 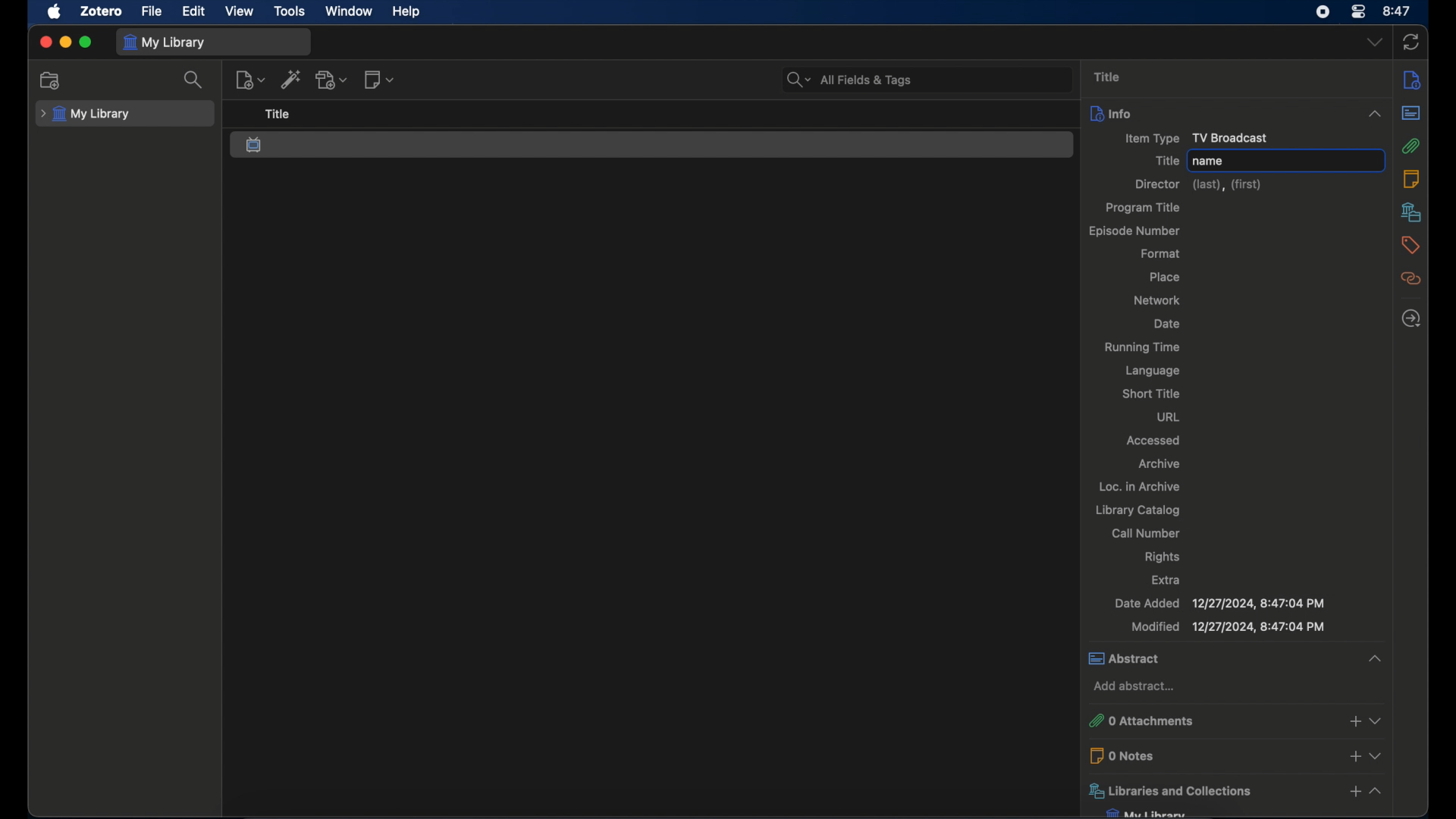 What do you see at coordinates (350, 11) in the screenshot?
I see `window` at bounding box center [350, 11].